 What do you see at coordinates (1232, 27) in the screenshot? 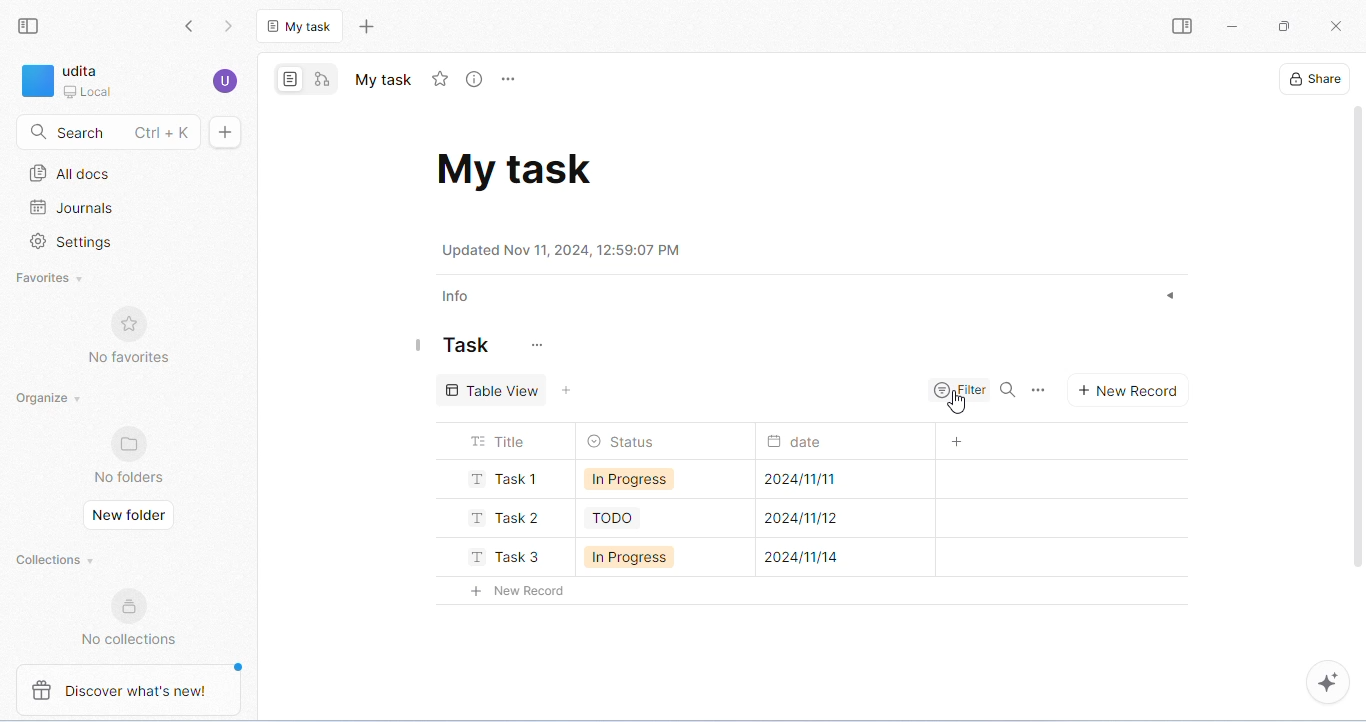
I see `minimize` at bounding box center [1232, 27].